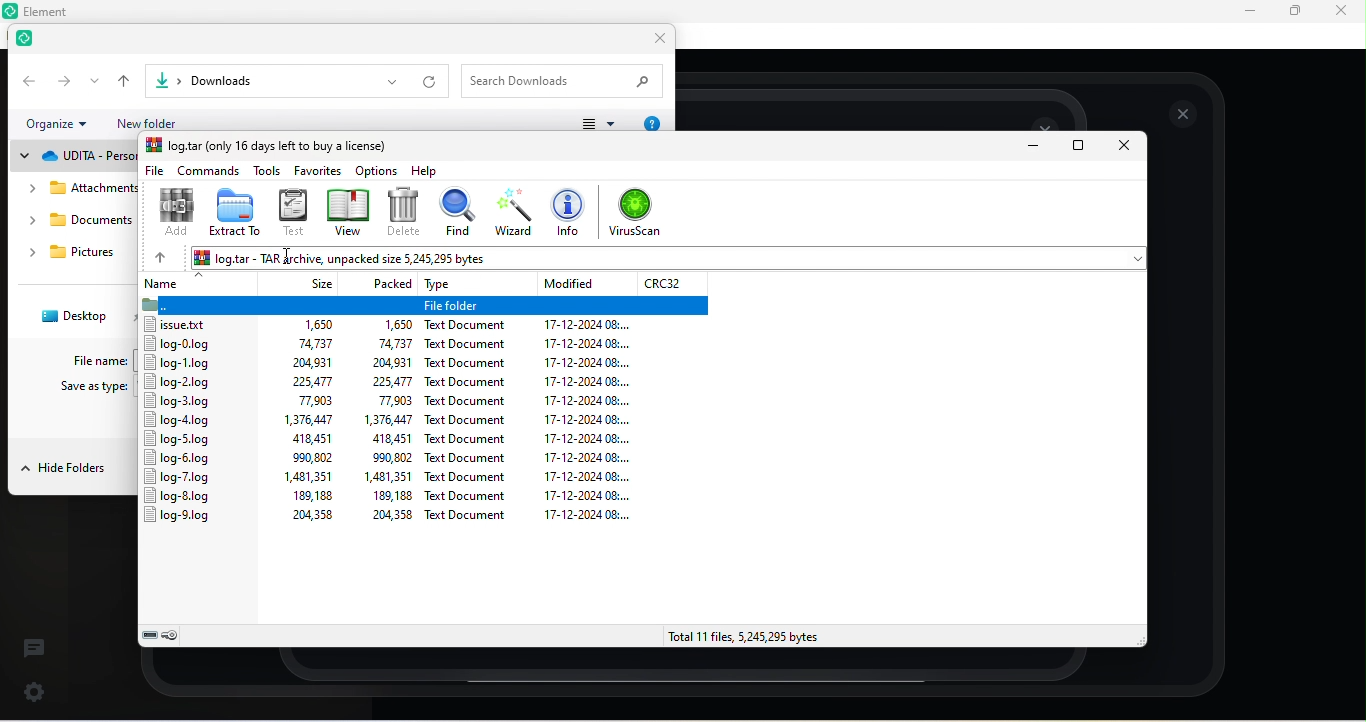  Describe the element at coordinates (317, 171) in the screenshot. I see `favorite` at that location.